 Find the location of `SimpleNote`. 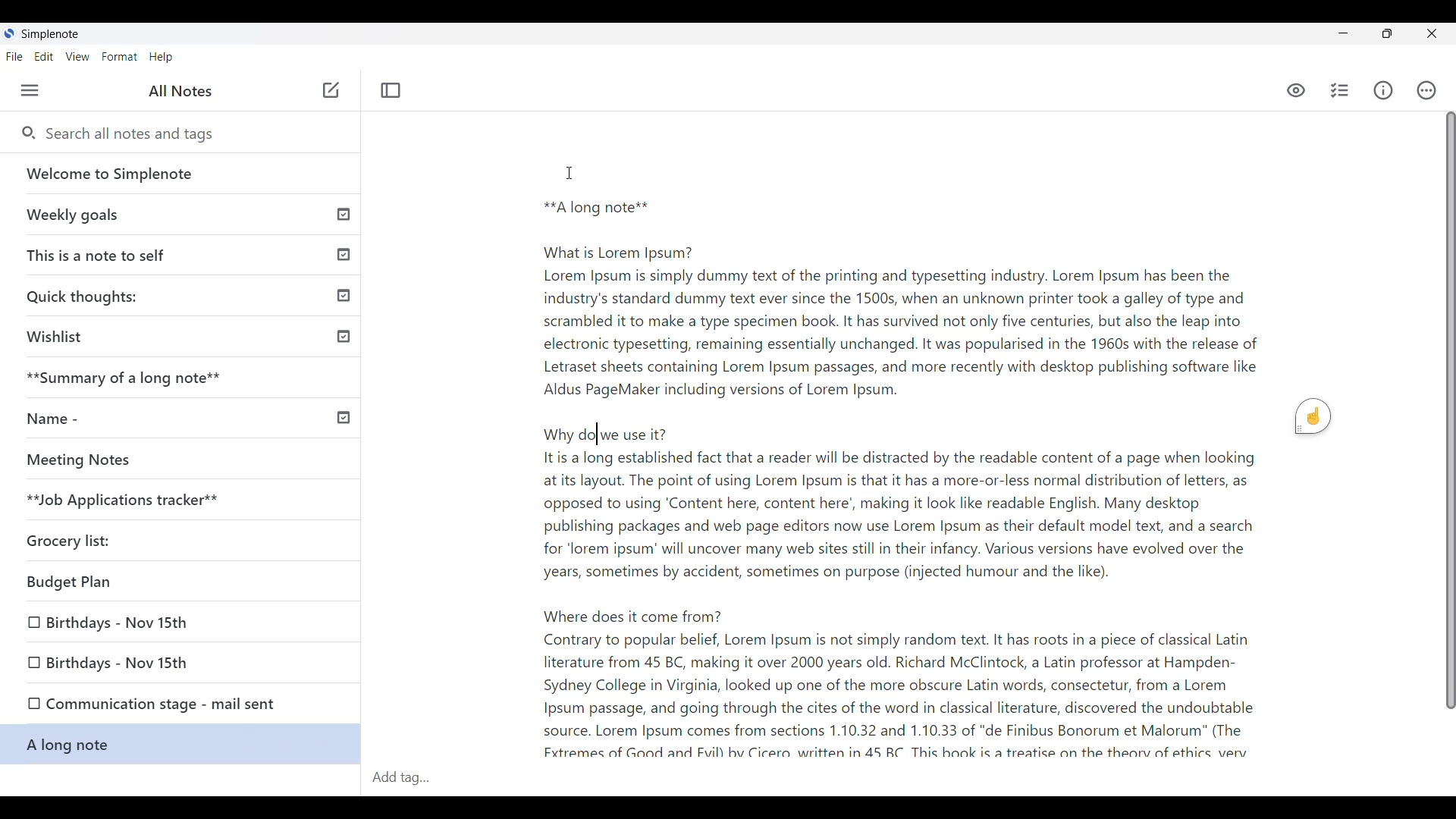

SimpleNote is located at coordinates (46, 33).